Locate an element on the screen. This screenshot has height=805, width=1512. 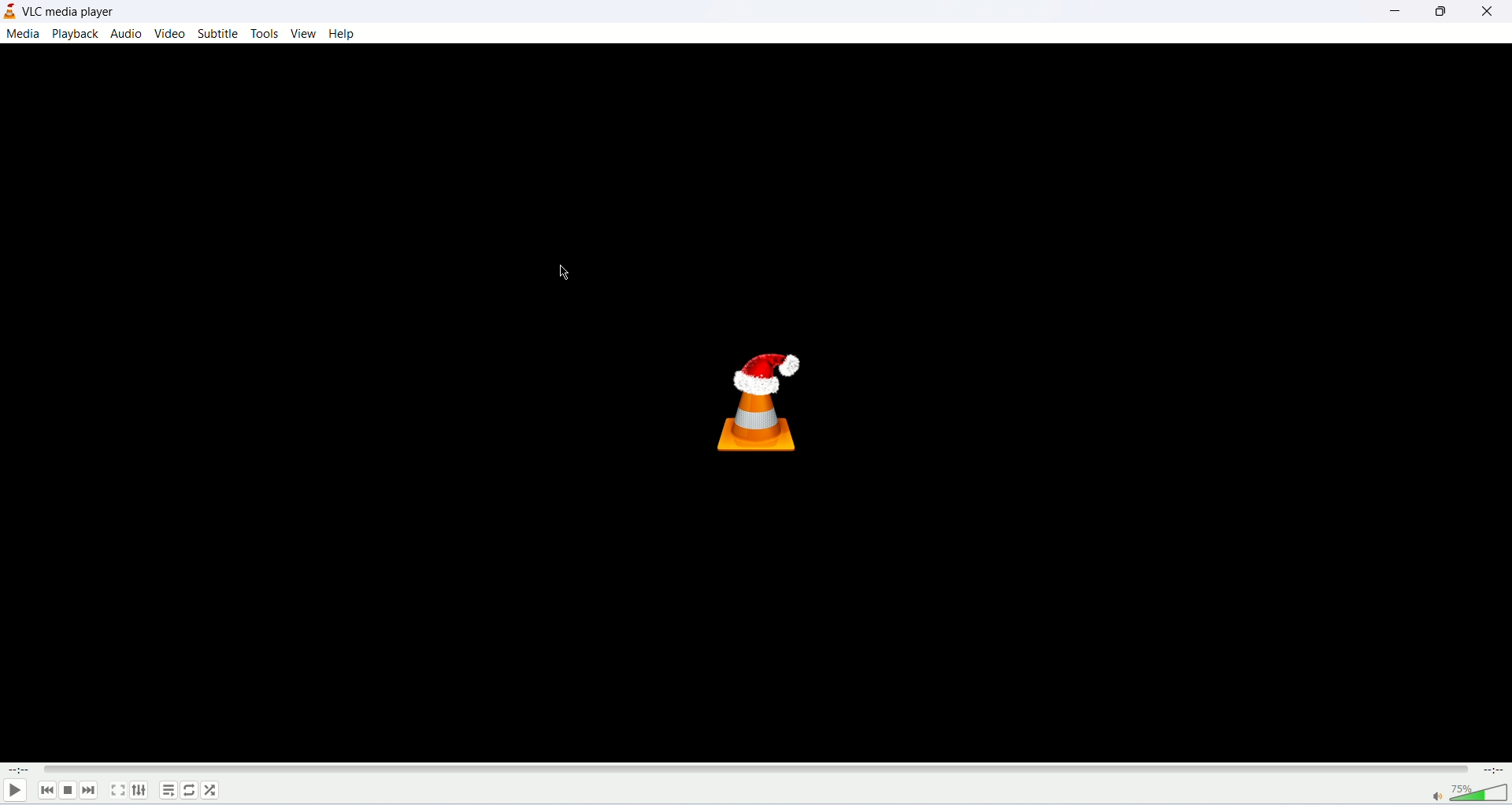
progress bar is located at coordinates (757, 770).